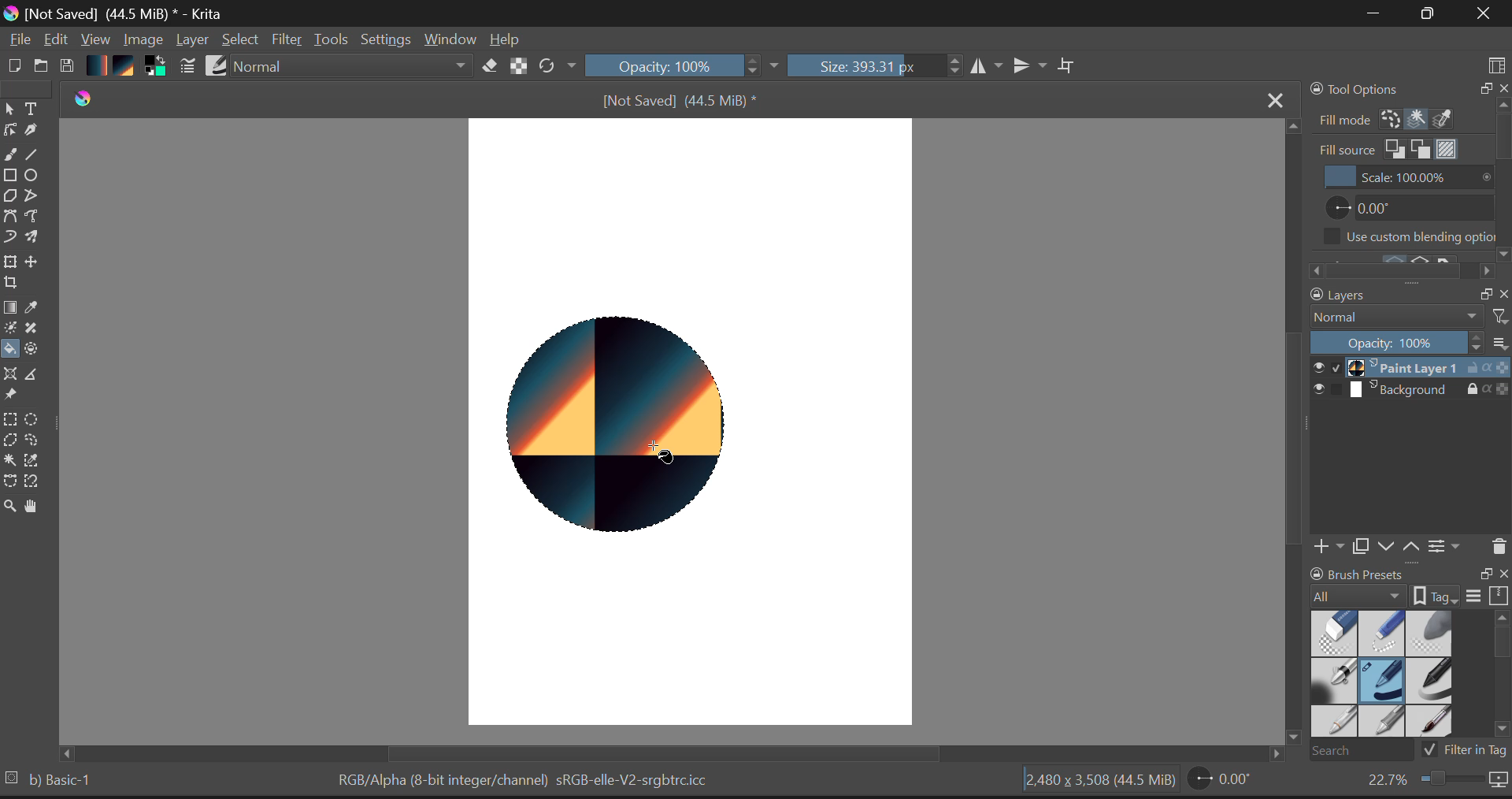  Describe the element at coordinates (34, 331) in the screenshot. I see `Smart Patch Tool` at that location.